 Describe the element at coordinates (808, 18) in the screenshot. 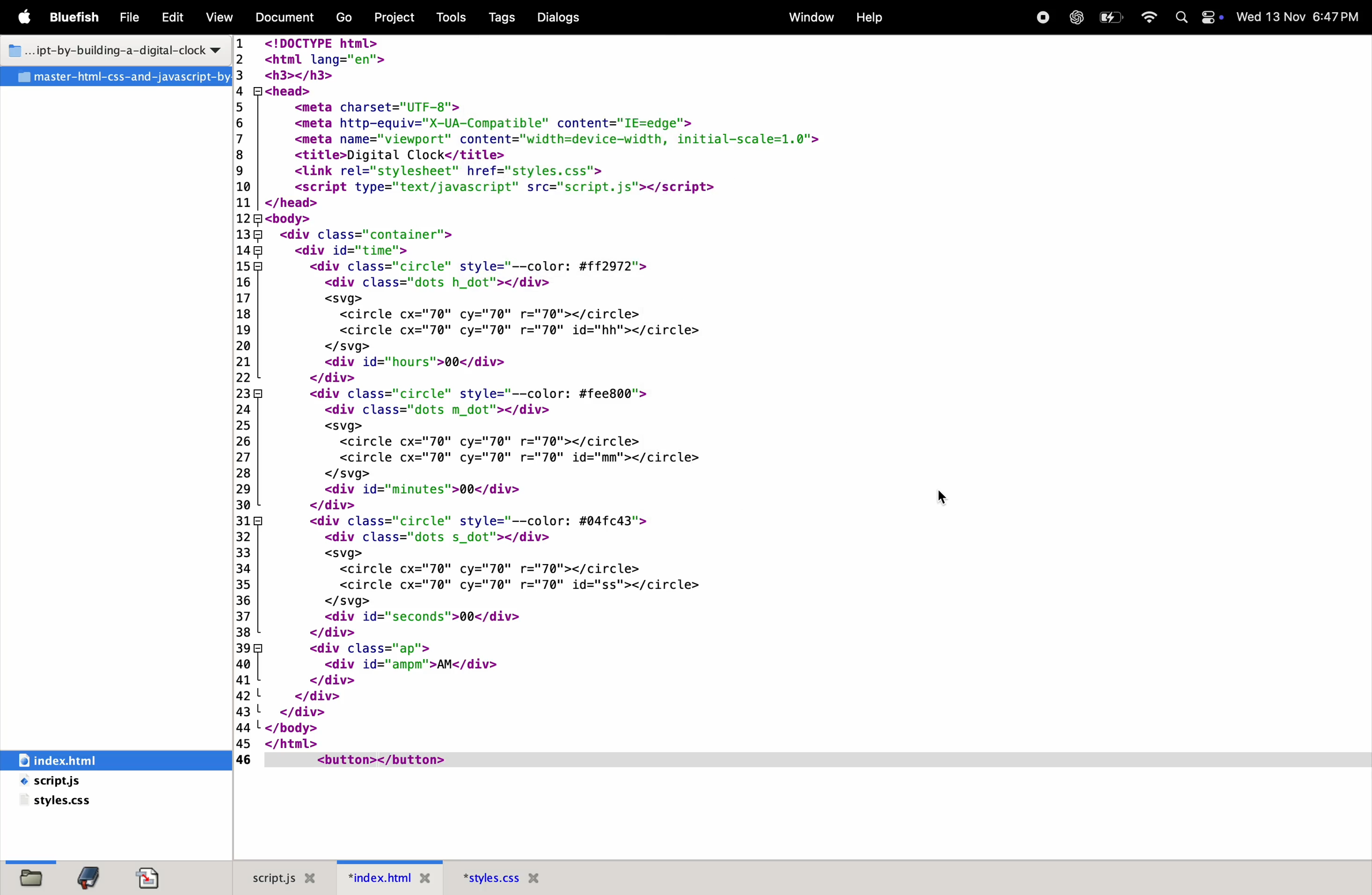

I see `window` at that location.